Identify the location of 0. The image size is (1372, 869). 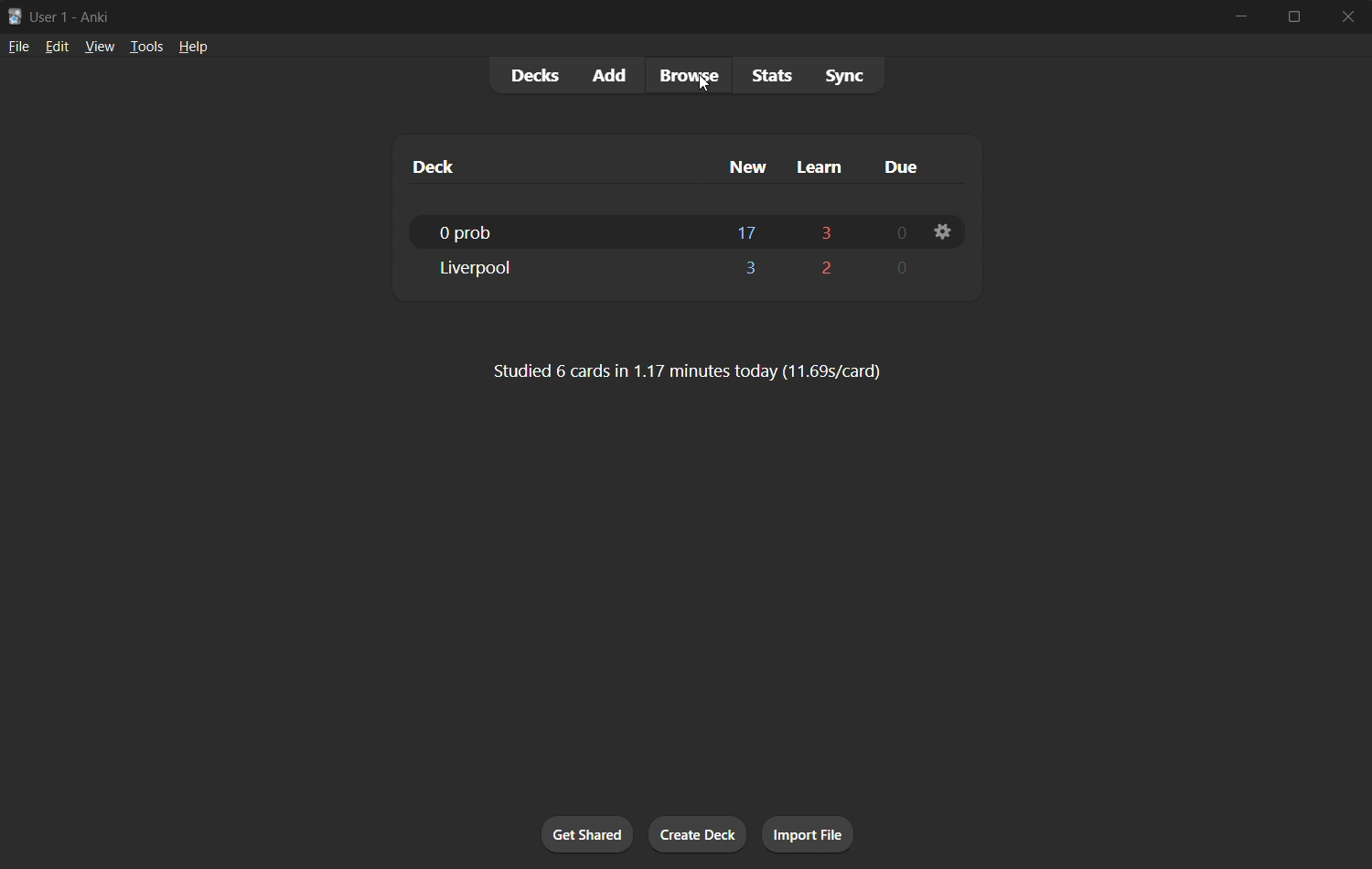
(897, 272).